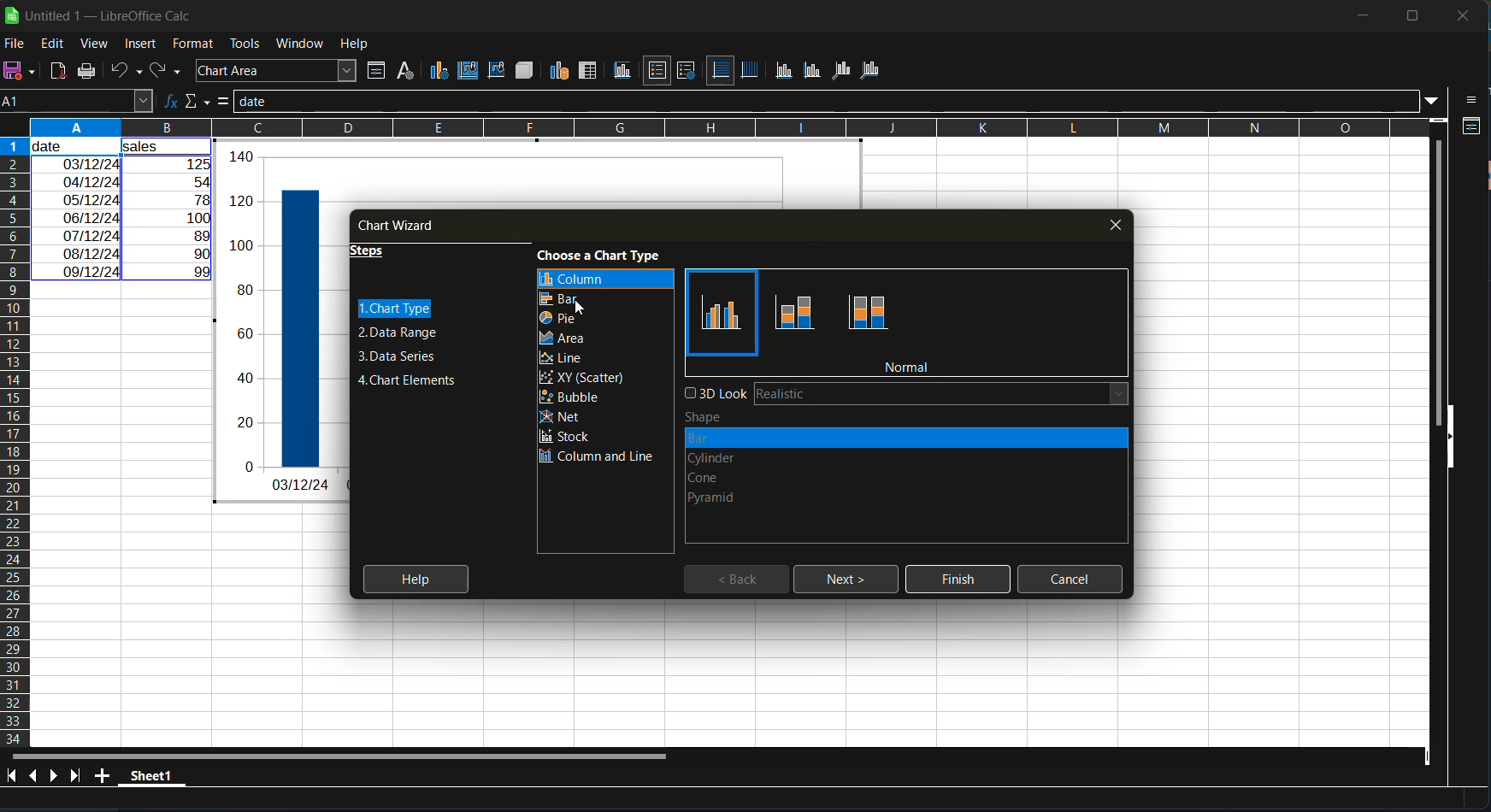 This screenshot has width=1491, height=812. What do you see at coordinates (99, 44) in the screenshot?
I see `view` at bounding box center [99, 44].